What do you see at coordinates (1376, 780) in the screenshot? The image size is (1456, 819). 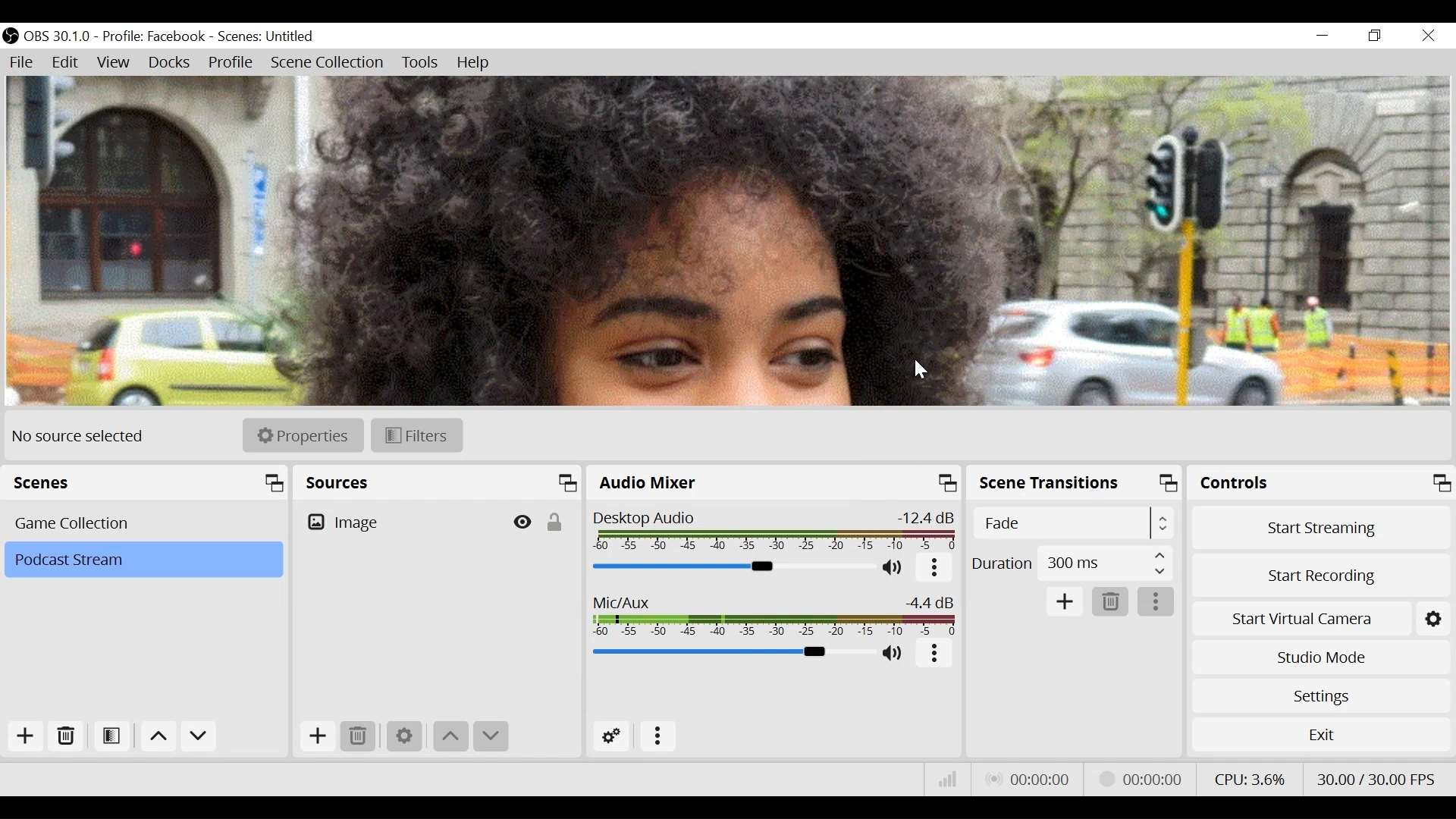 I see `Frame Per Second` at bounding box center [1376, 780].